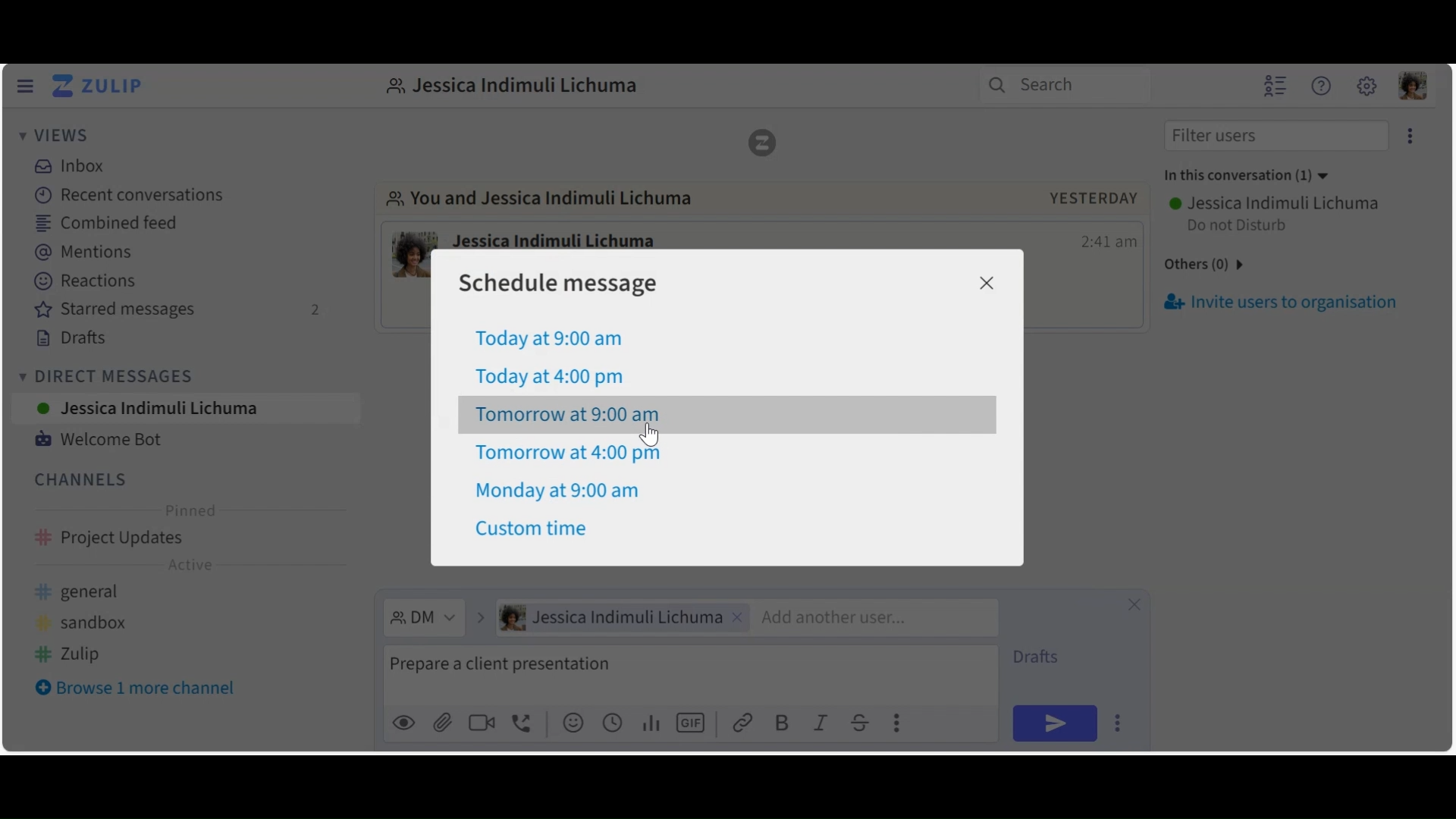 The width and height of the screenshot is (1456, 819). What do you see at coordinates (1277, 86) in the screenshot?
I see `Hide user list` at bounding box center [1277, 86].